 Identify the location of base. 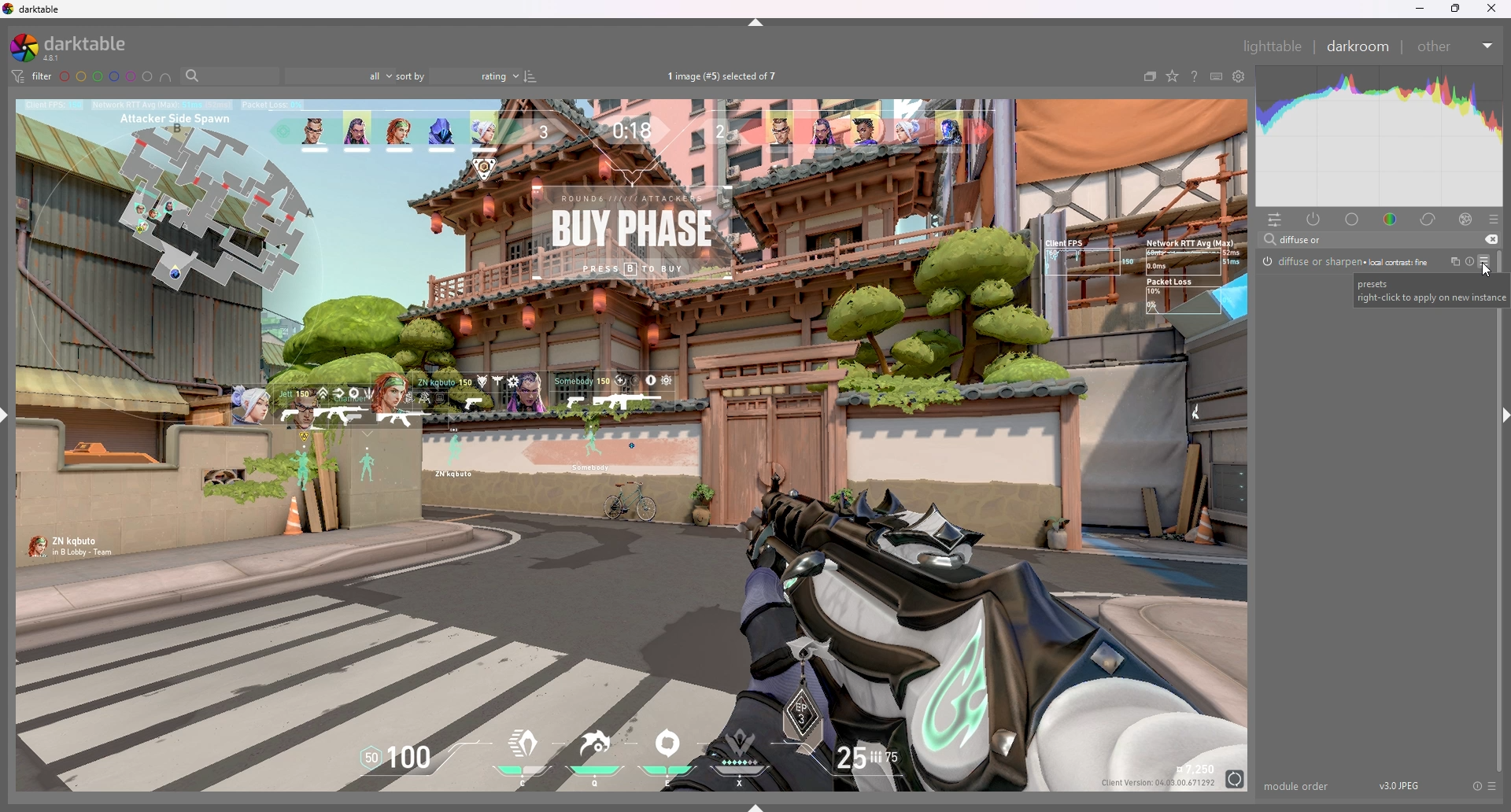
(1353, 219).